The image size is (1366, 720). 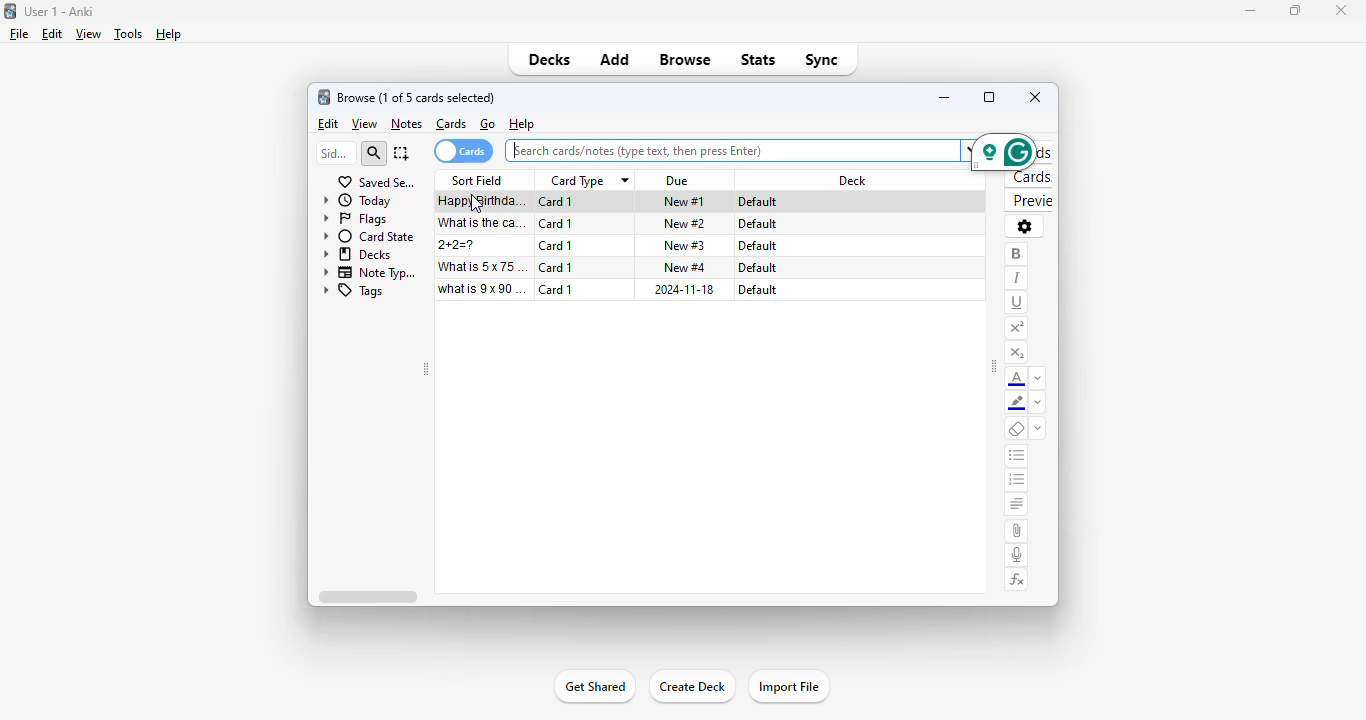 I want to click on record audio, so click(x=1017, y=556).